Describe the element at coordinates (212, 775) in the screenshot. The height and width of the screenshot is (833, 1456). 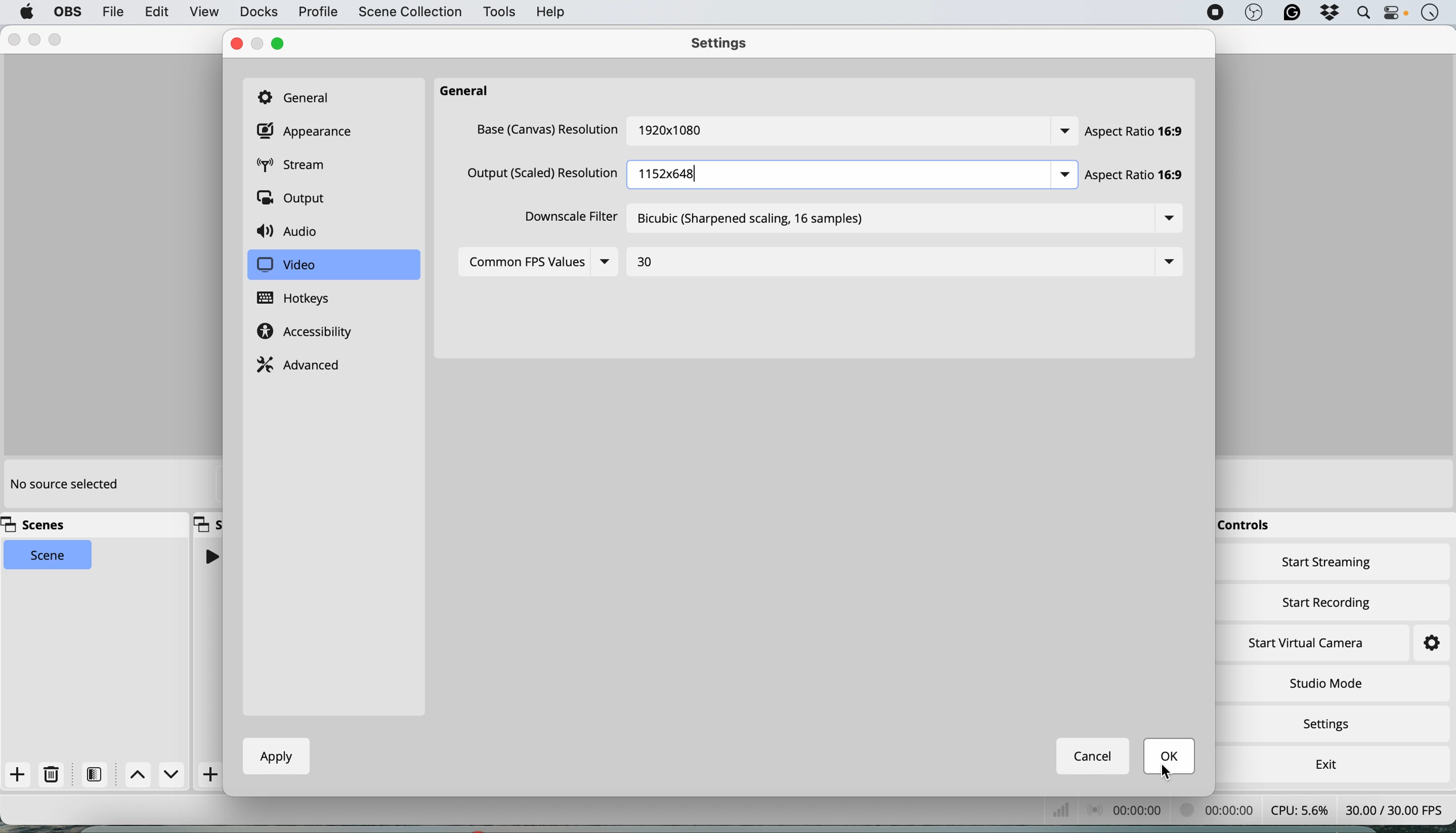
I see `Add Scene ` at that location.